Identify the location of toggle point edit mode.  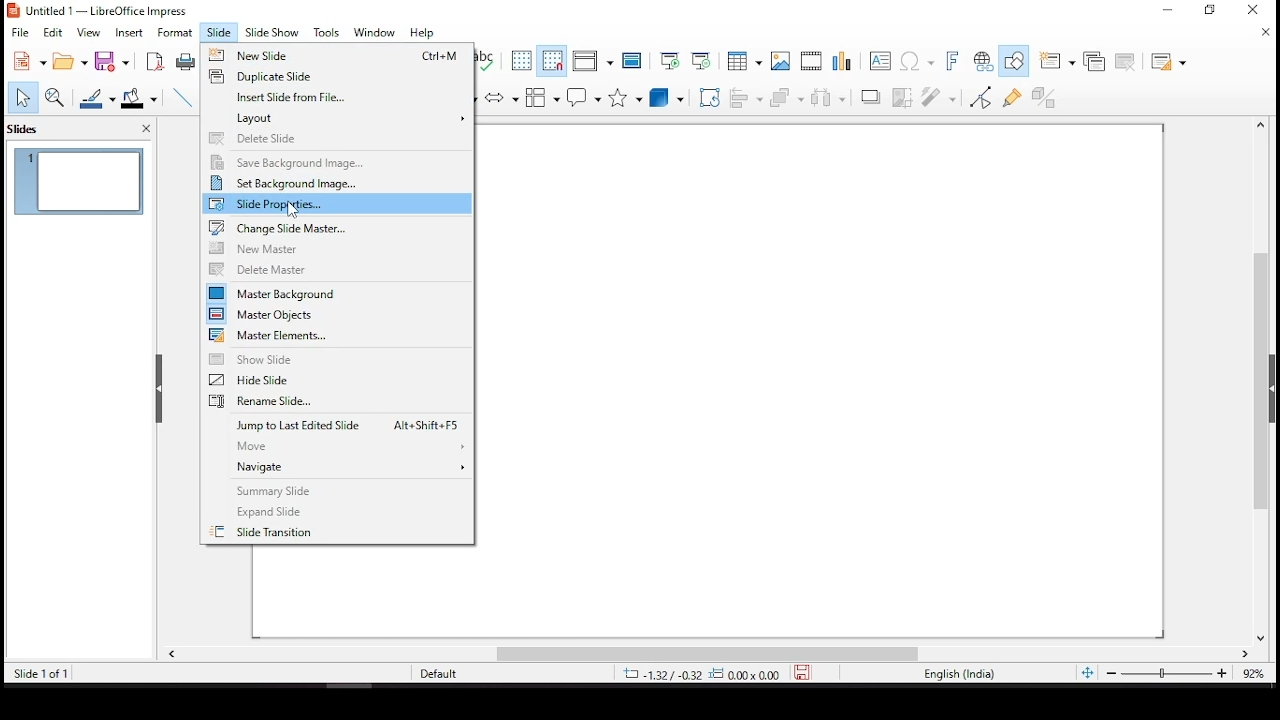
(980, 98).